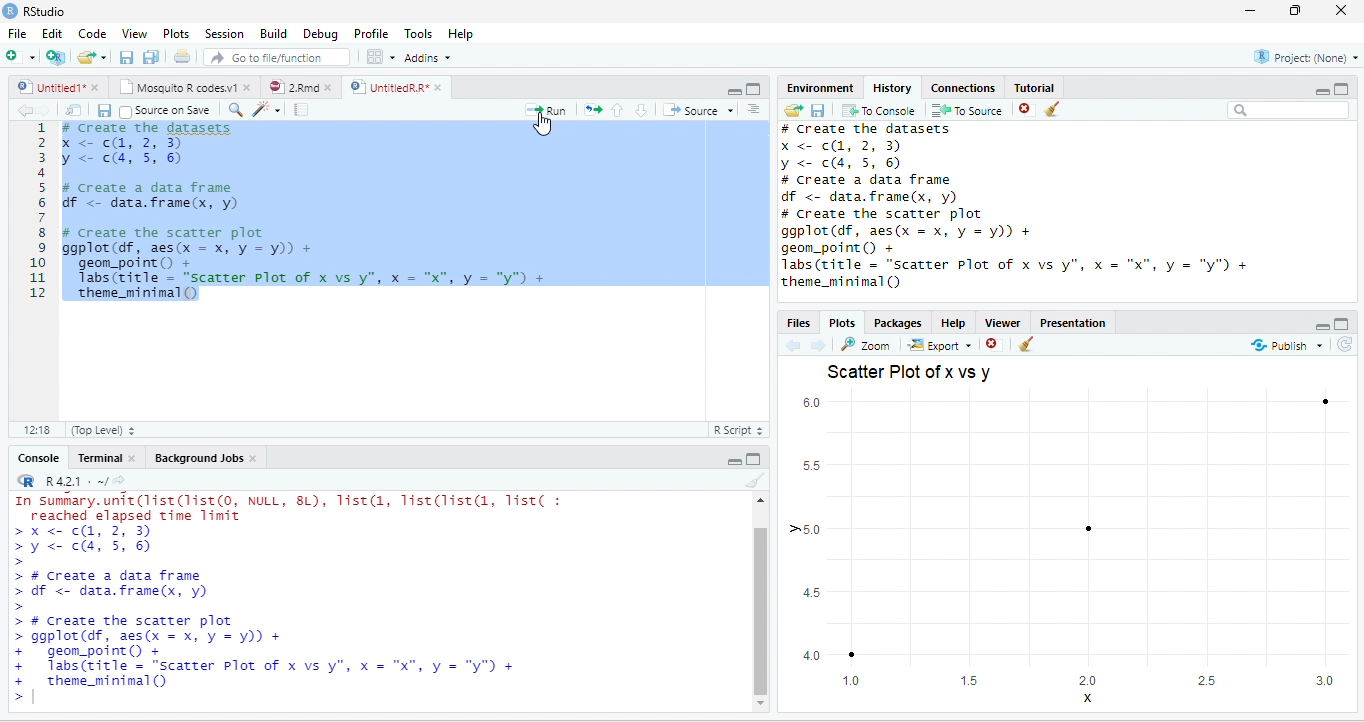 The image size is (1364, 722). What do you see at coordinates (272, 32) in the screenshot?
I see `Build` at bounding box center [272, 32].